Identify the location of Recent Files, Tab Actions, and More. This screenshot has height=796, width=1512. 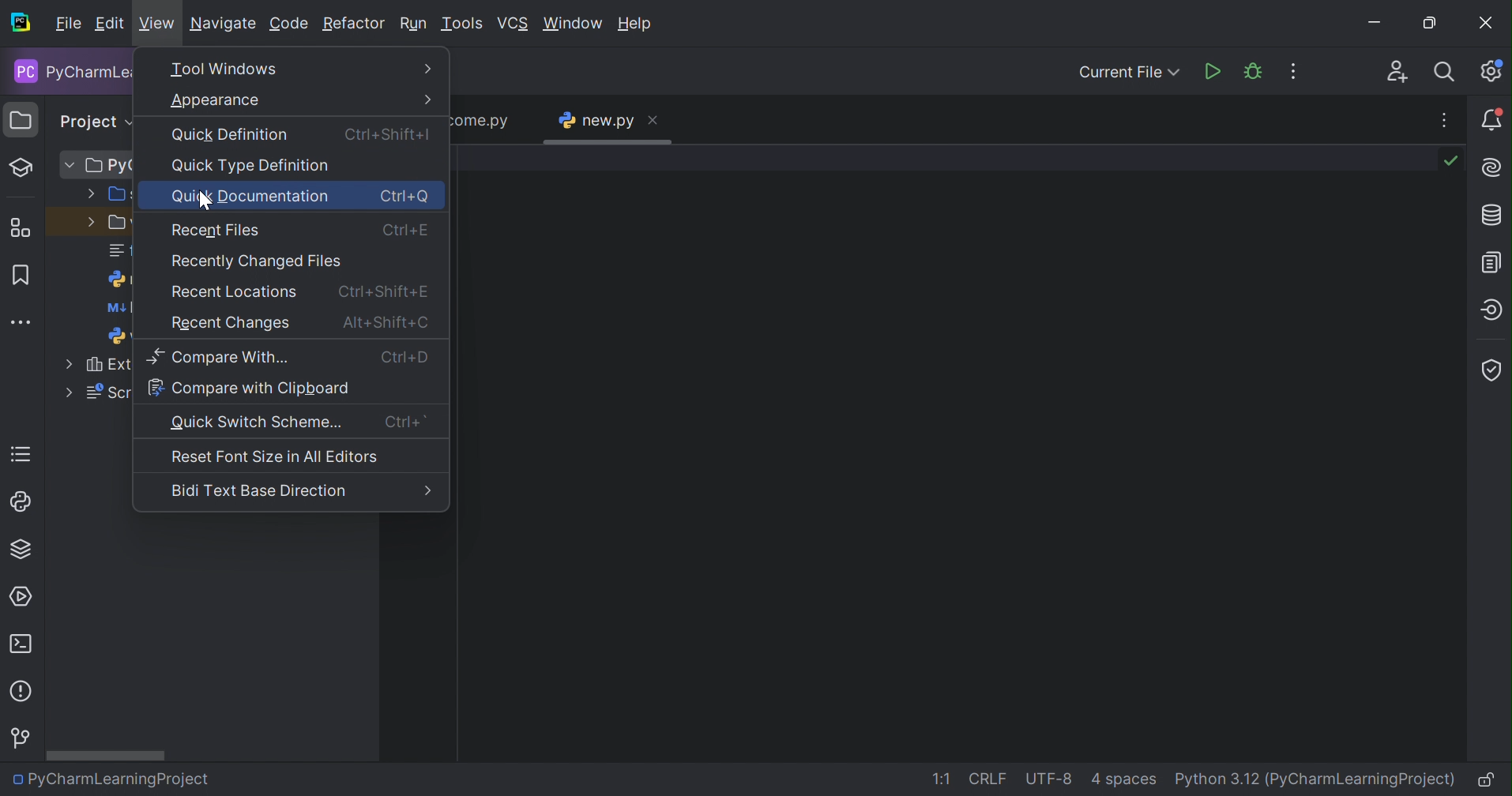
(1445, 117).